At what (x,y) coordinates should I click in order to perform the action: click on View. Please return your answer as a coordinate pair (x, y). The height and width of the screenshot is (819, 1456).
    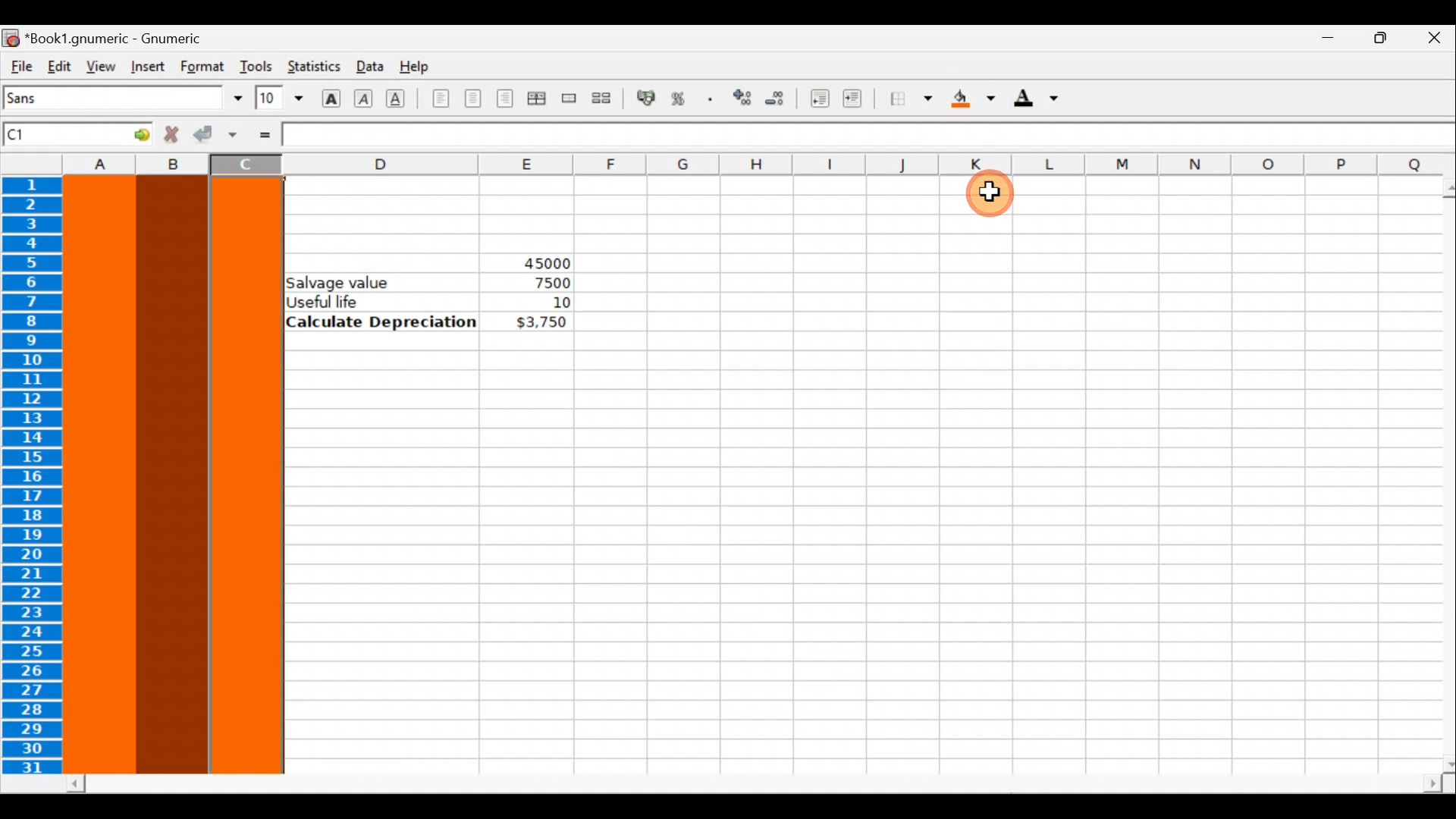
    Looking at the image, I should click on (96, 65).